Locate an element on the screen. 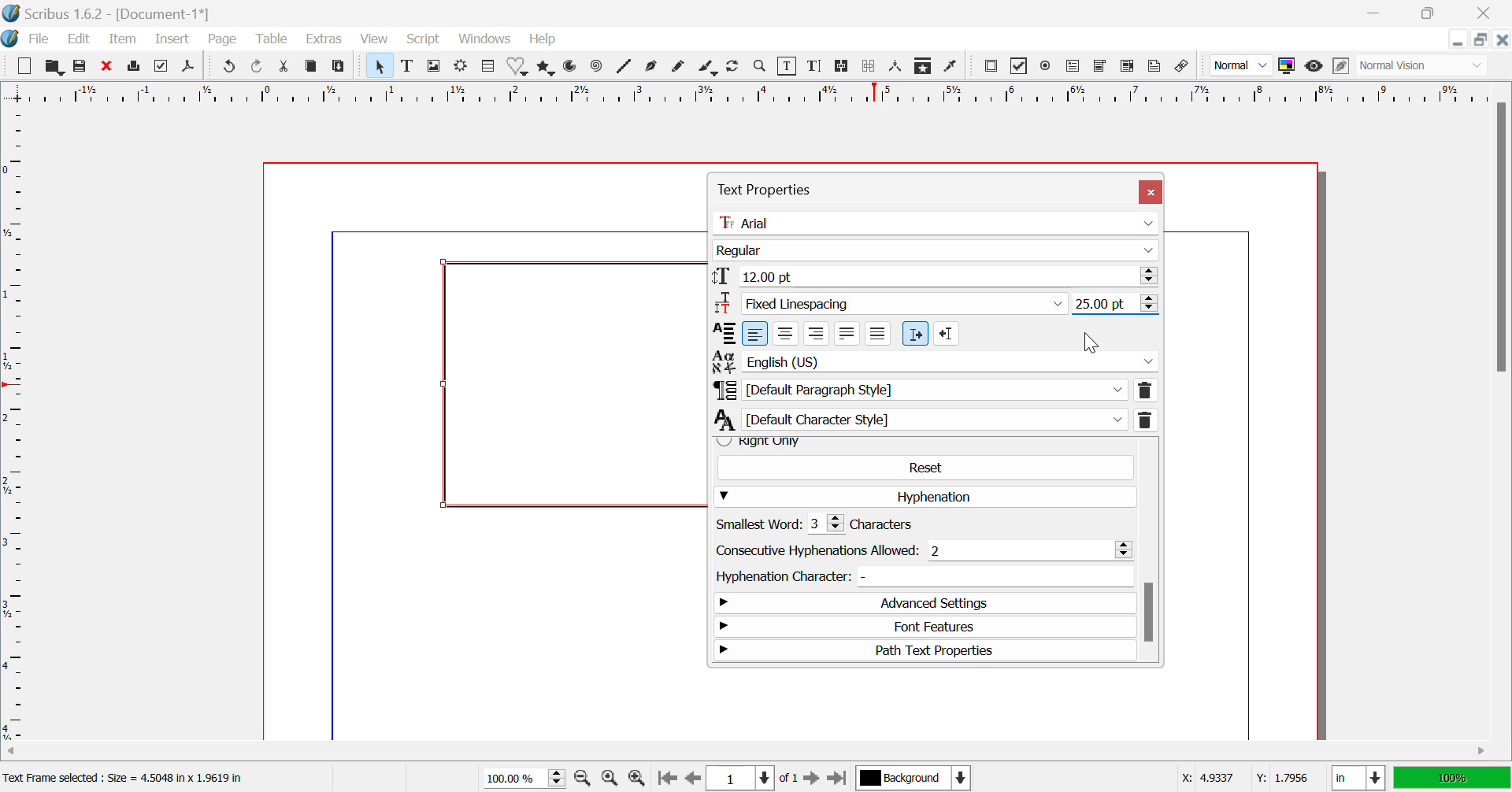 This screenshot has height=792, width=1512. Minimize is located at coordinates (1482, 40).